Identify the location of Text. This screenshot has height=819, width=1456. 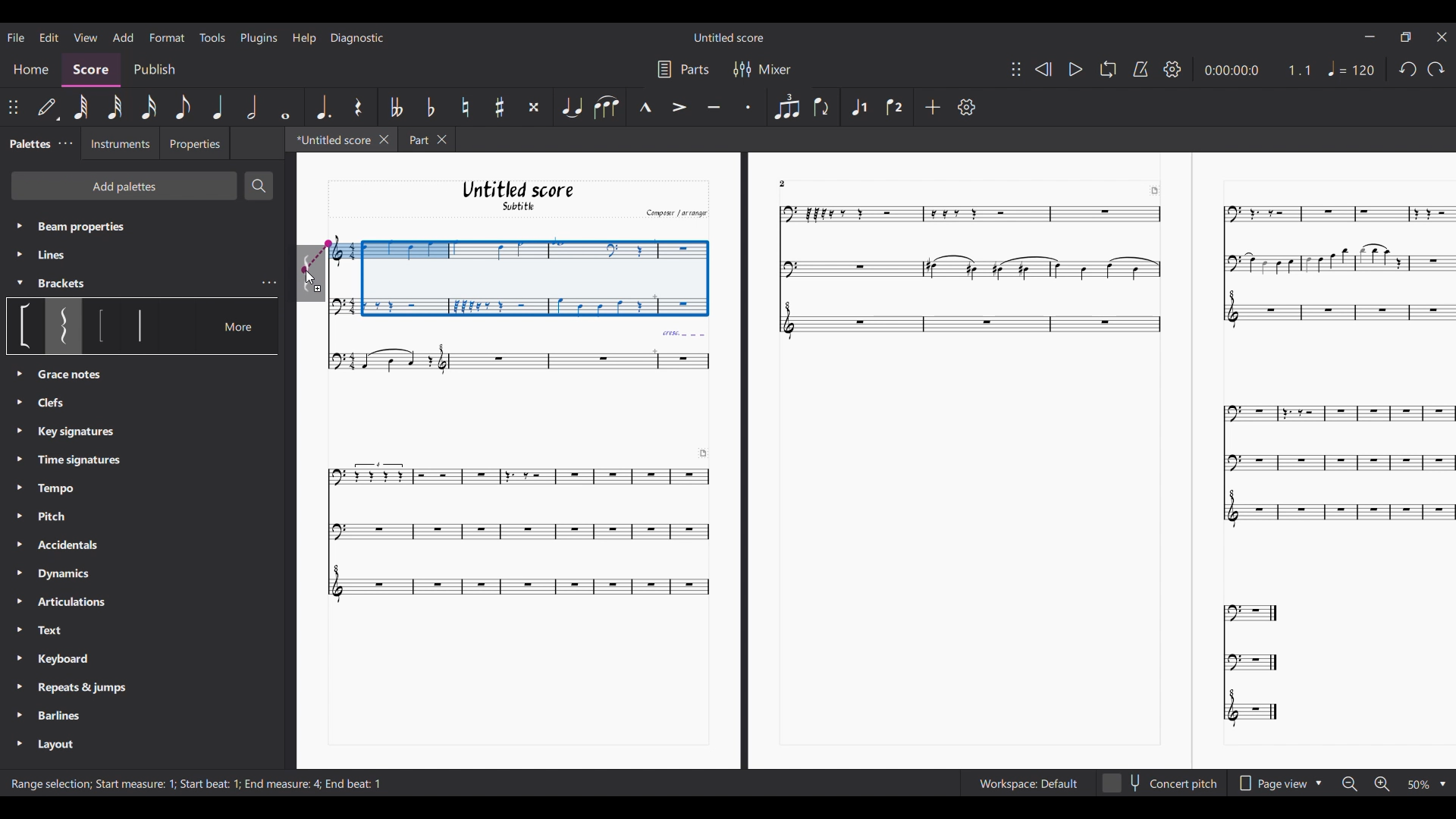
(74, 630).